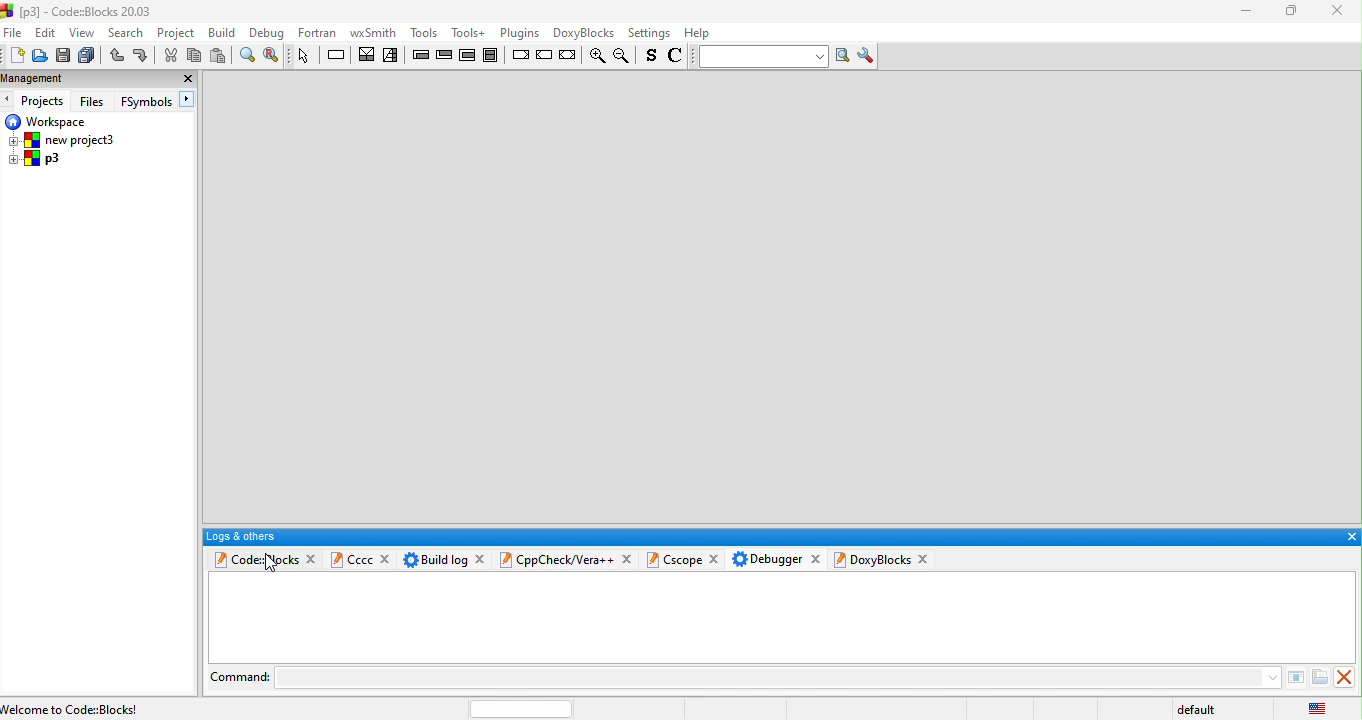 The image size is (1362, 720). I want to click on plugins, so click(517, 33).